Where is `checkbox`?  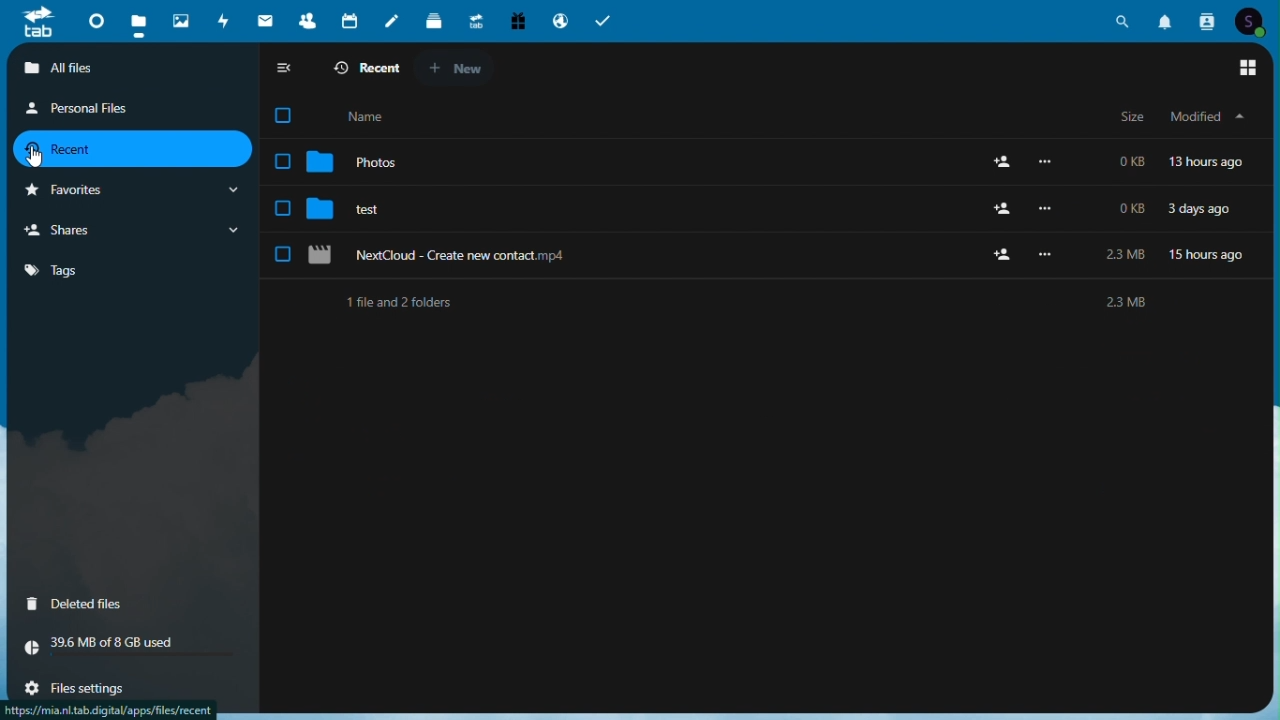
checkbox is located at coordinates (282, 162).